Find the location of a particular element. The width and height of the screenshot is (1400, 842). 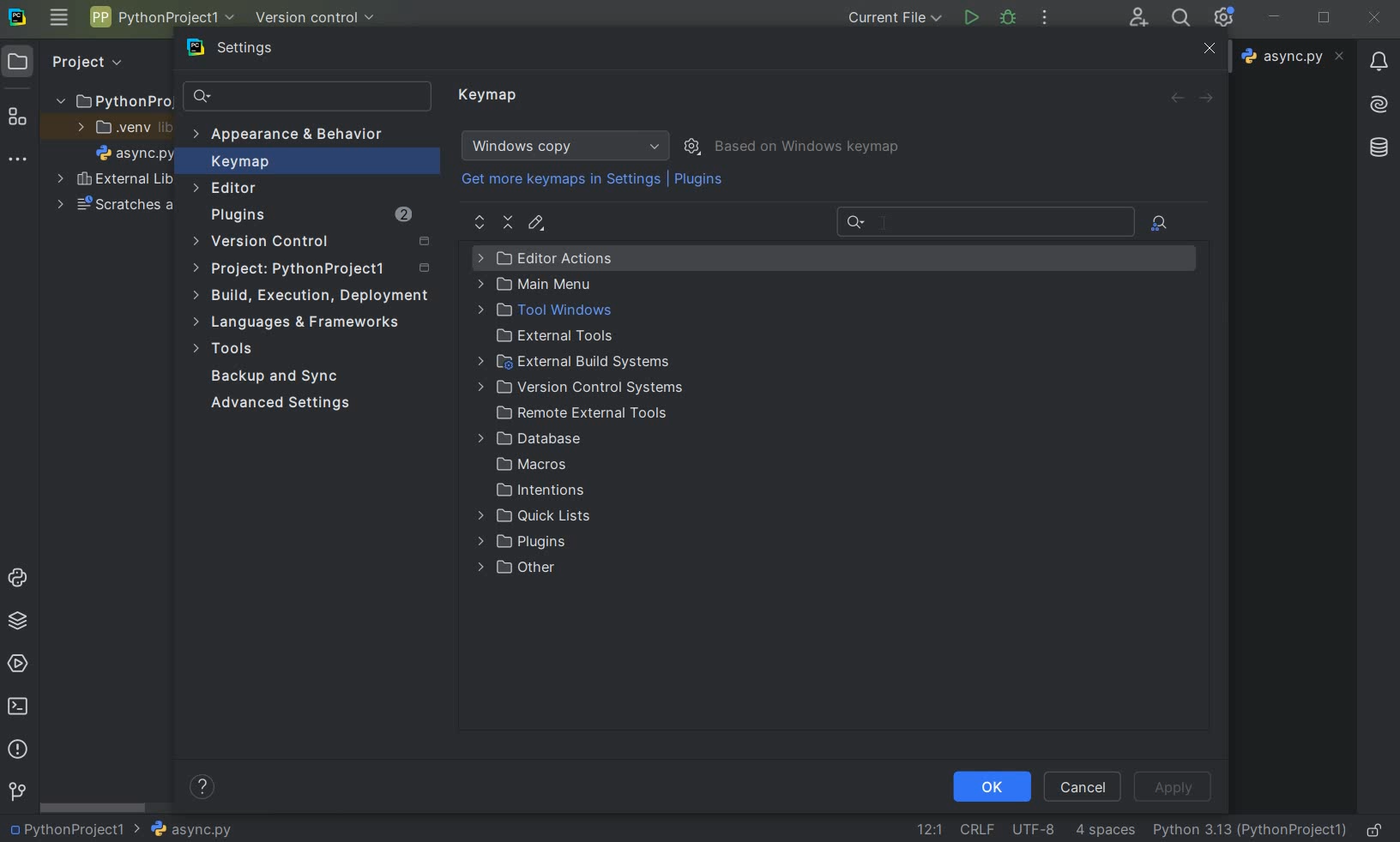

AI asistant is located at coordinates (1377, 99).